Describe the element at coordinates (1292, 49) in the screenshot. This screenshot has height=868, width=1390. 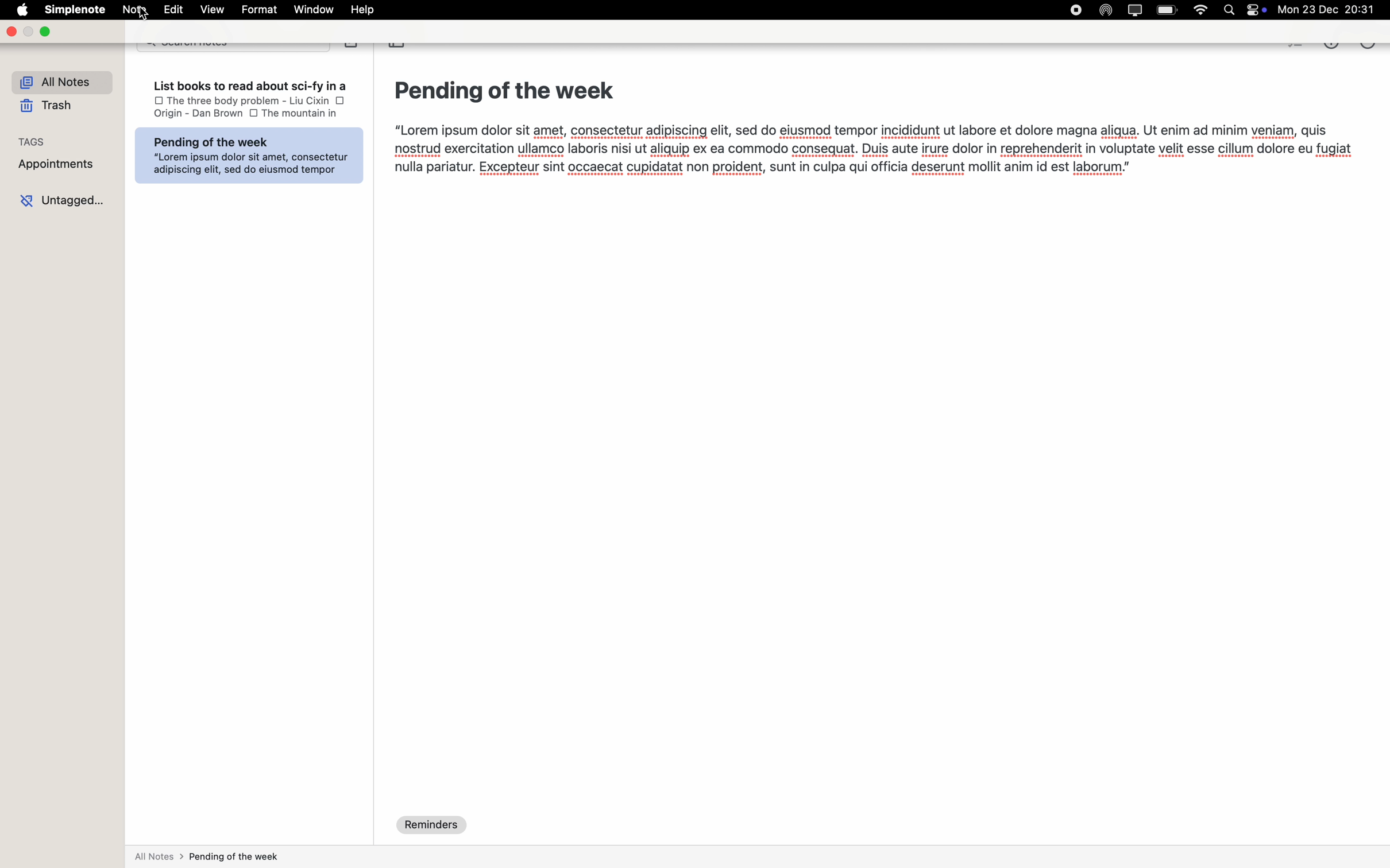
I see `checkbox list` at that location.